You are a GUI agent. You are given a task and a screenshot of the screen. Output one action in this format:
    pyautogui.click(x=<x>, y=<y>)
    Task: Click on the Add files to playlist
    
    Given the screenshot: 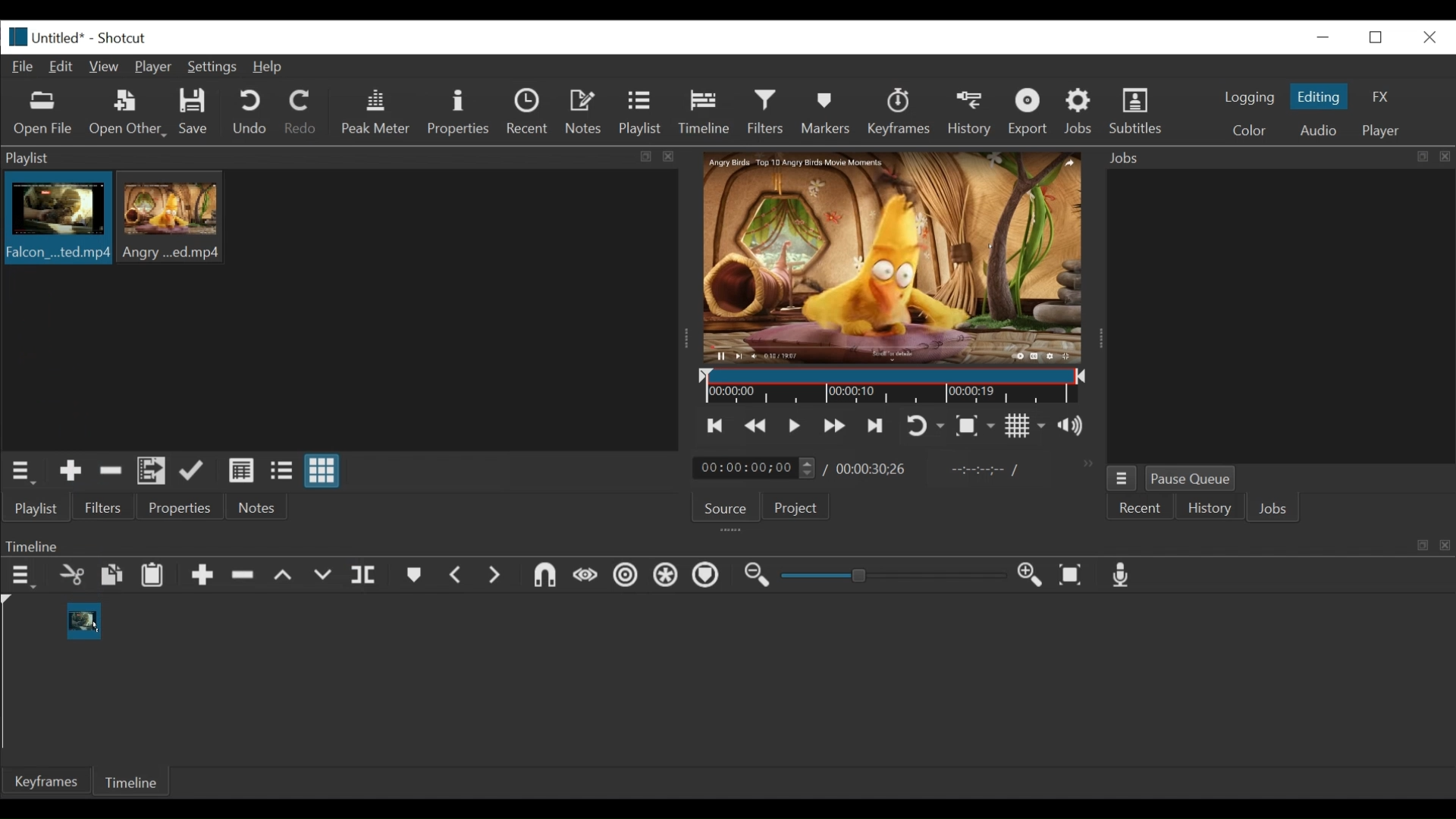 What is the action you would take?
    pyautogui.click(x=152, y=473)
    